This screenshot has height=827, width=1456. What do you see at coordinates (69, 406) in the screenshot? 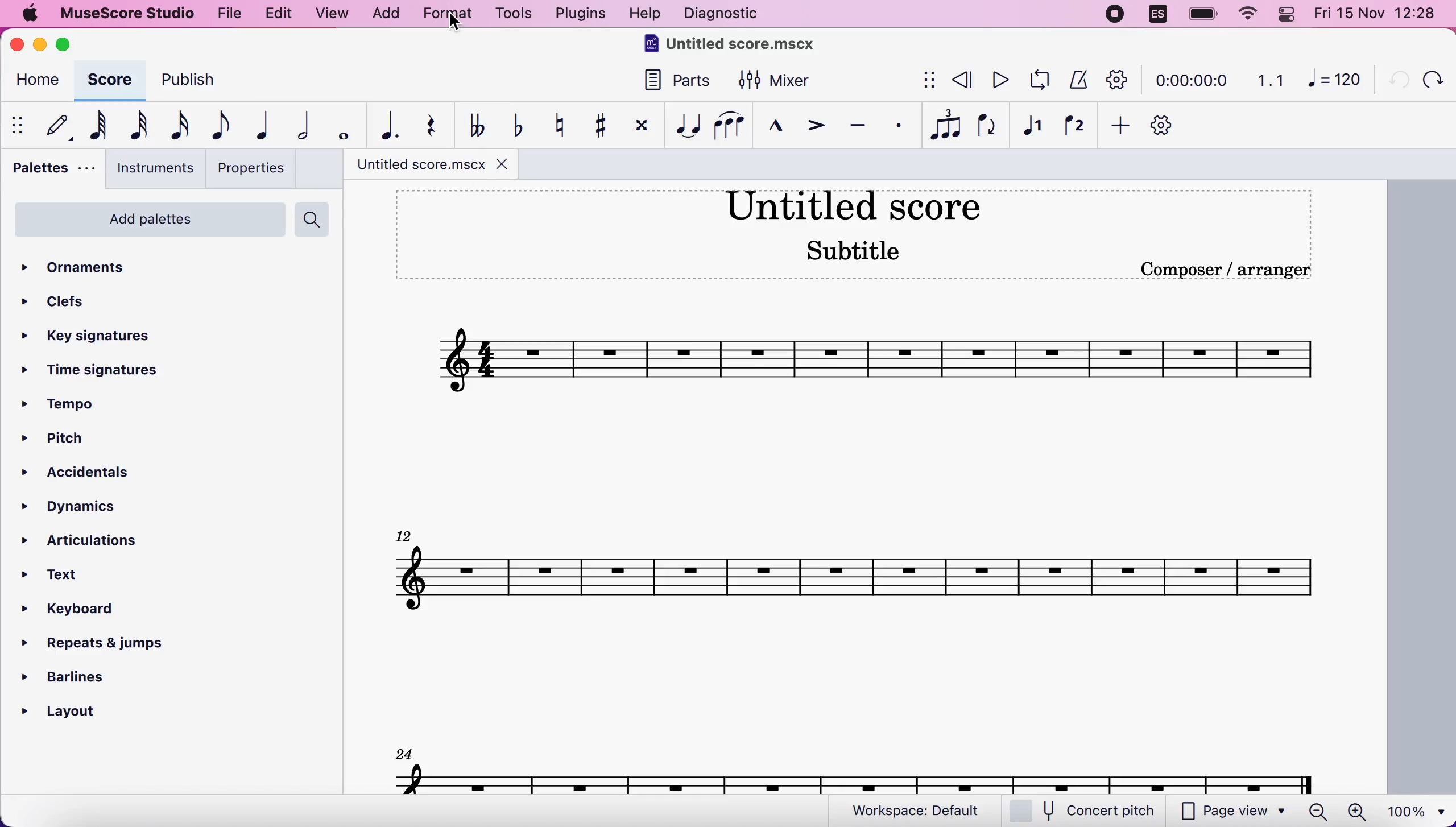
I see `tempo` at bounding box center [69, 406].